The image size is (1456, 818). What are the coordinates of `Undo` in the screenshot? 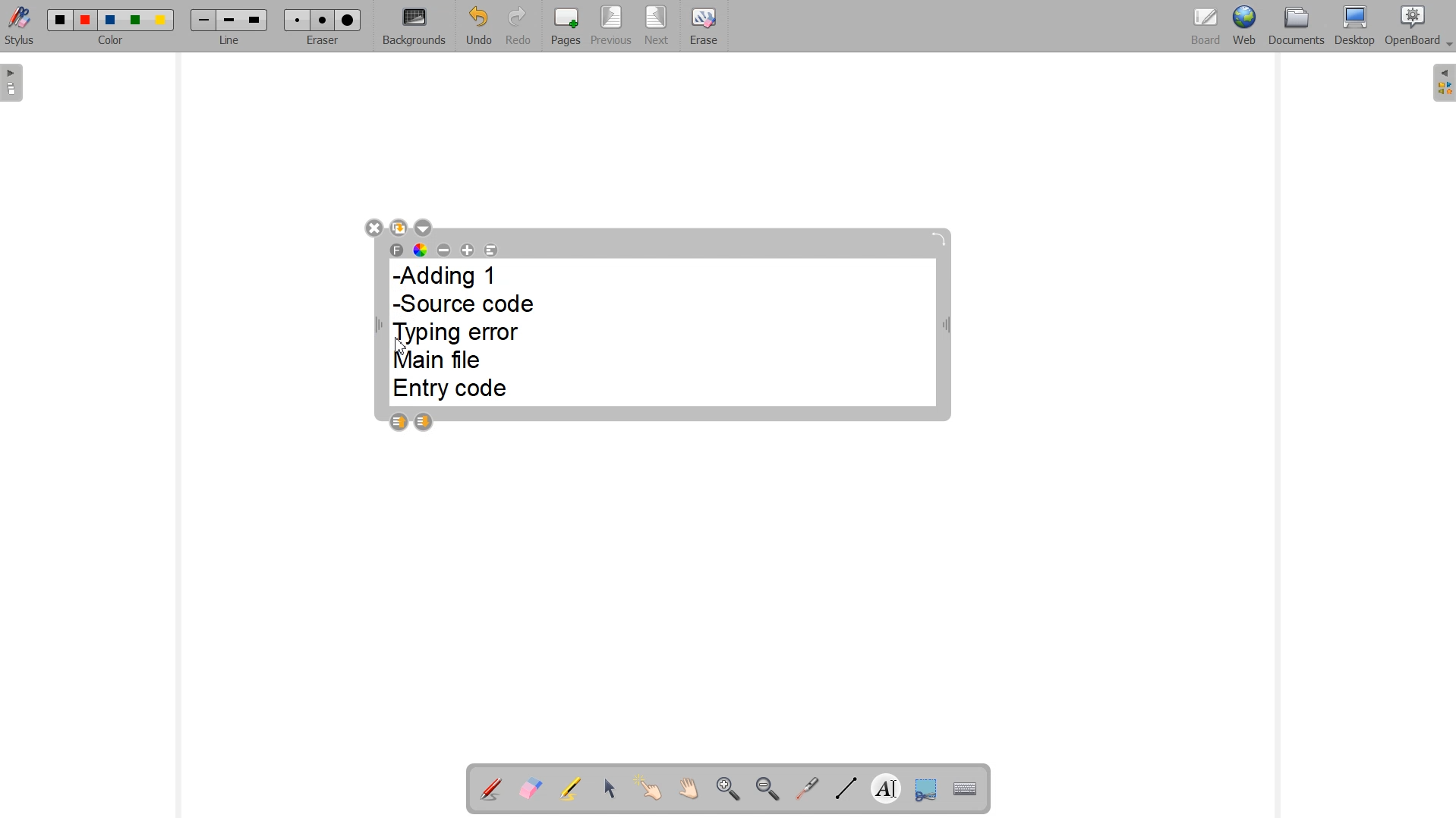 It's located at (477, 26).